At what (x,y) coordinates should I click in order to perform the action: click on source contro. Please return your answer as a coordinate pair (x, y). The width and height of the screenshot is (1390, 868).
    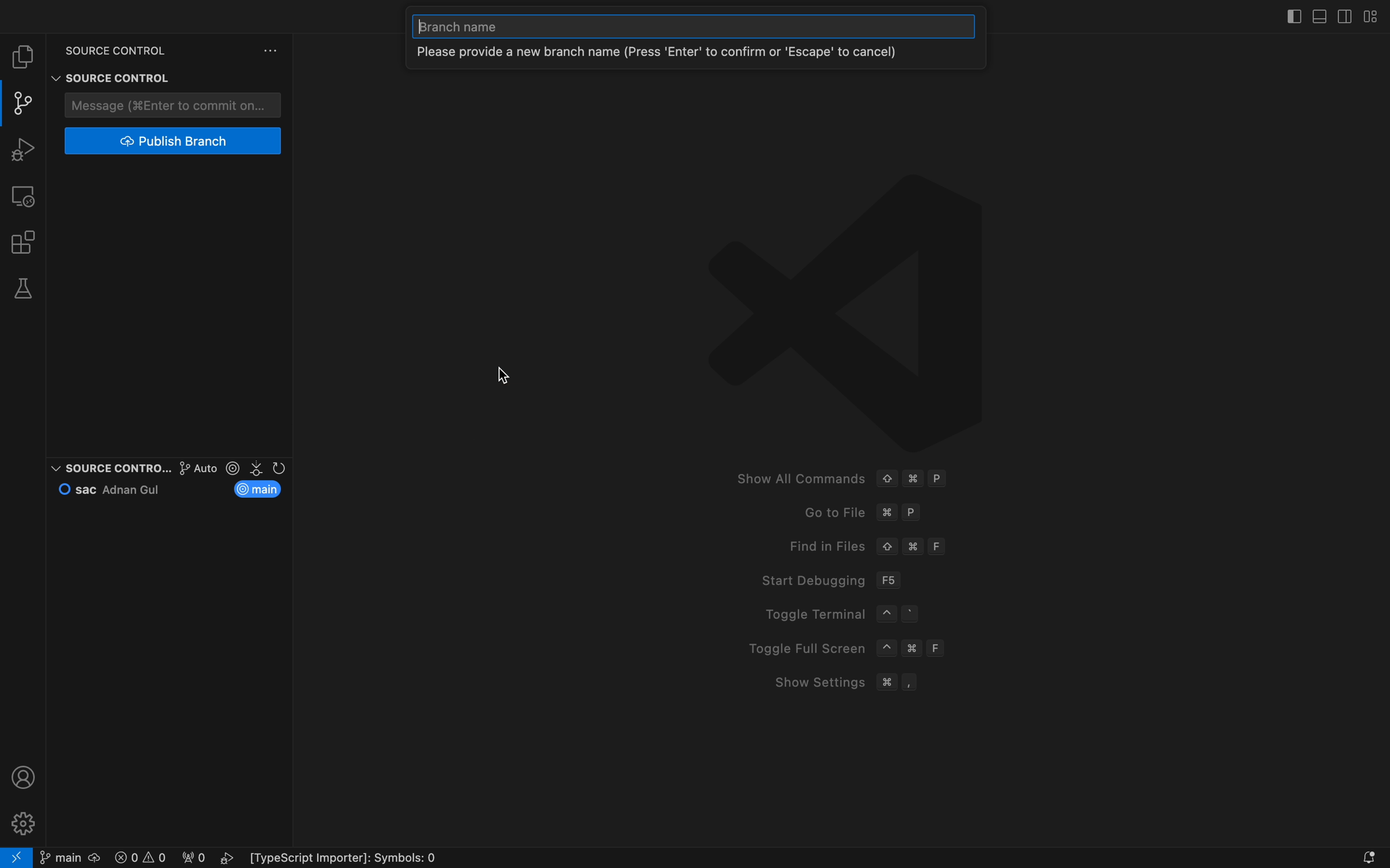
    Looking at the image, I should click on (108, 468).